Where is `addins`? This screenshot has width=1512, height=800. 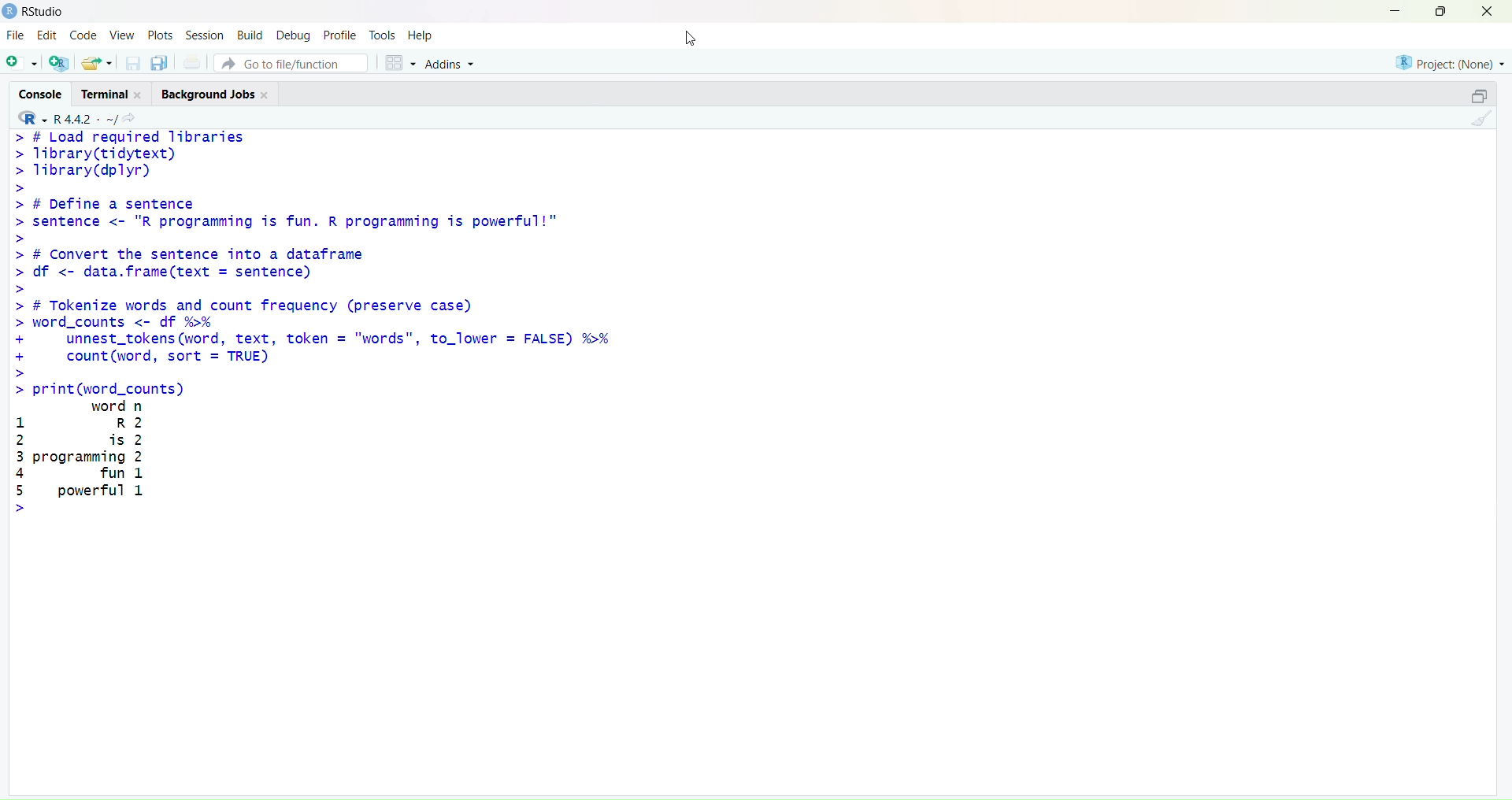 addins is located at coordinates (450, 65).